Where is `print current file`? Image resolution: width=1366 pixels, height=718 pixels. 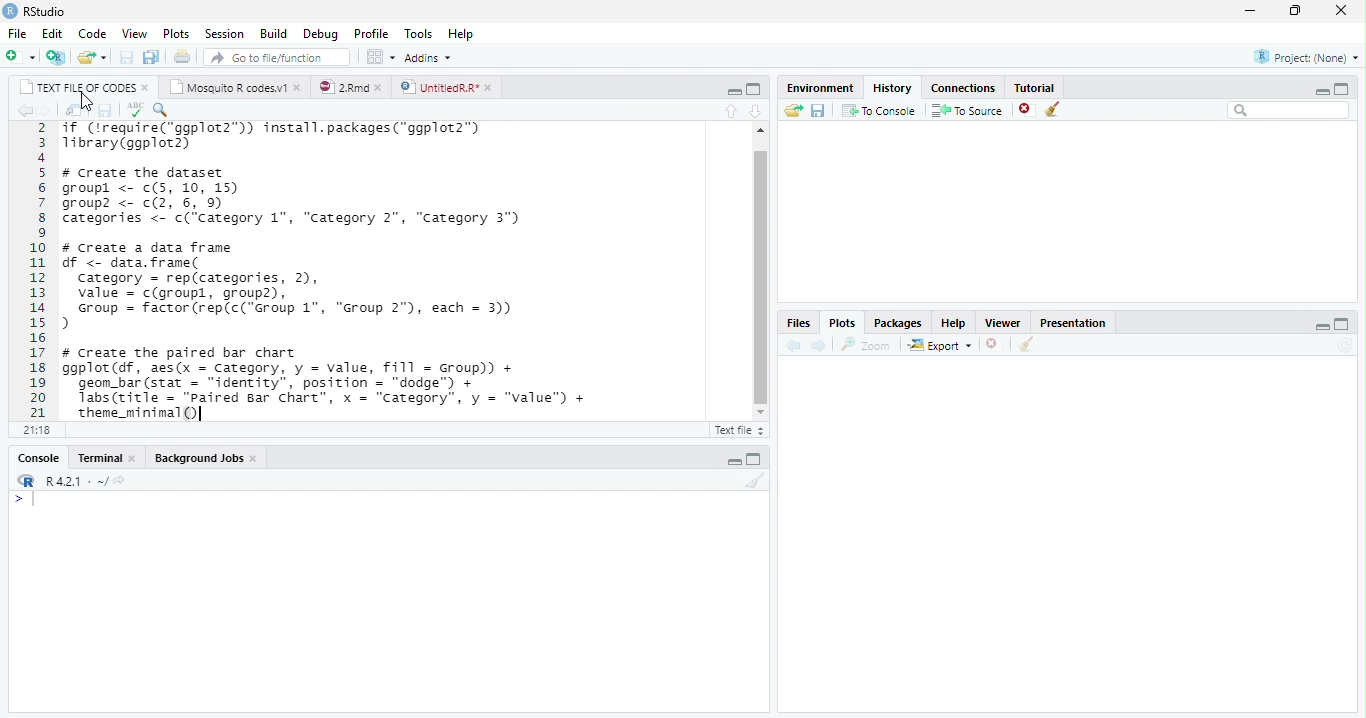 print current file is located at coordinates (185, 57).